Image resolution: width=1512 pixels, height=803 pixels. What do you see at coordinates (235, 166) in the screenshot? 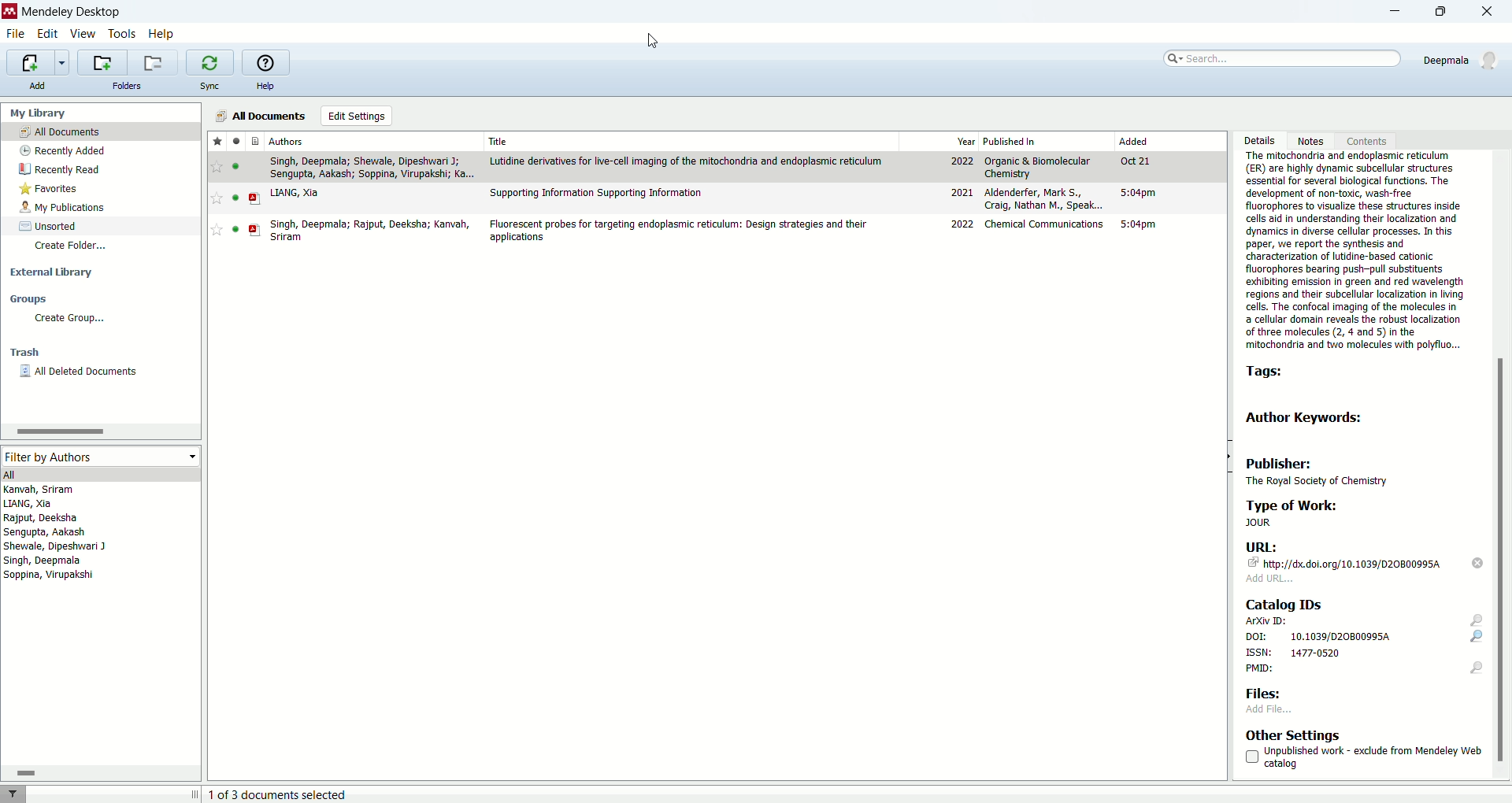
I see `unread` at bounding box center [235, 166].